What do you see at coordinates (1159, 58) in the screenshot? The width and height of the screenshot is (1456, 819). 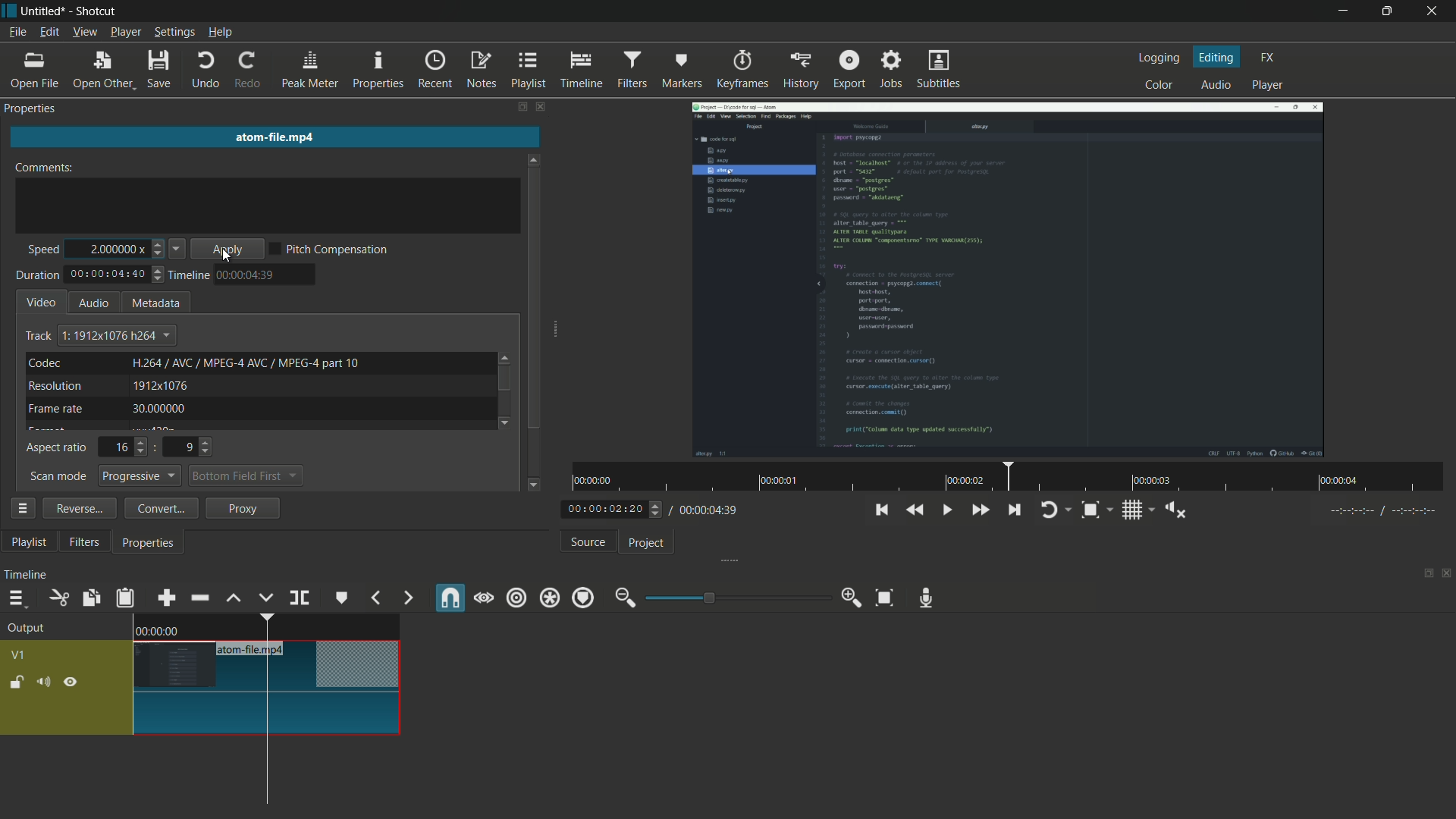 I see `logging` at bounding box center [1159, 58].